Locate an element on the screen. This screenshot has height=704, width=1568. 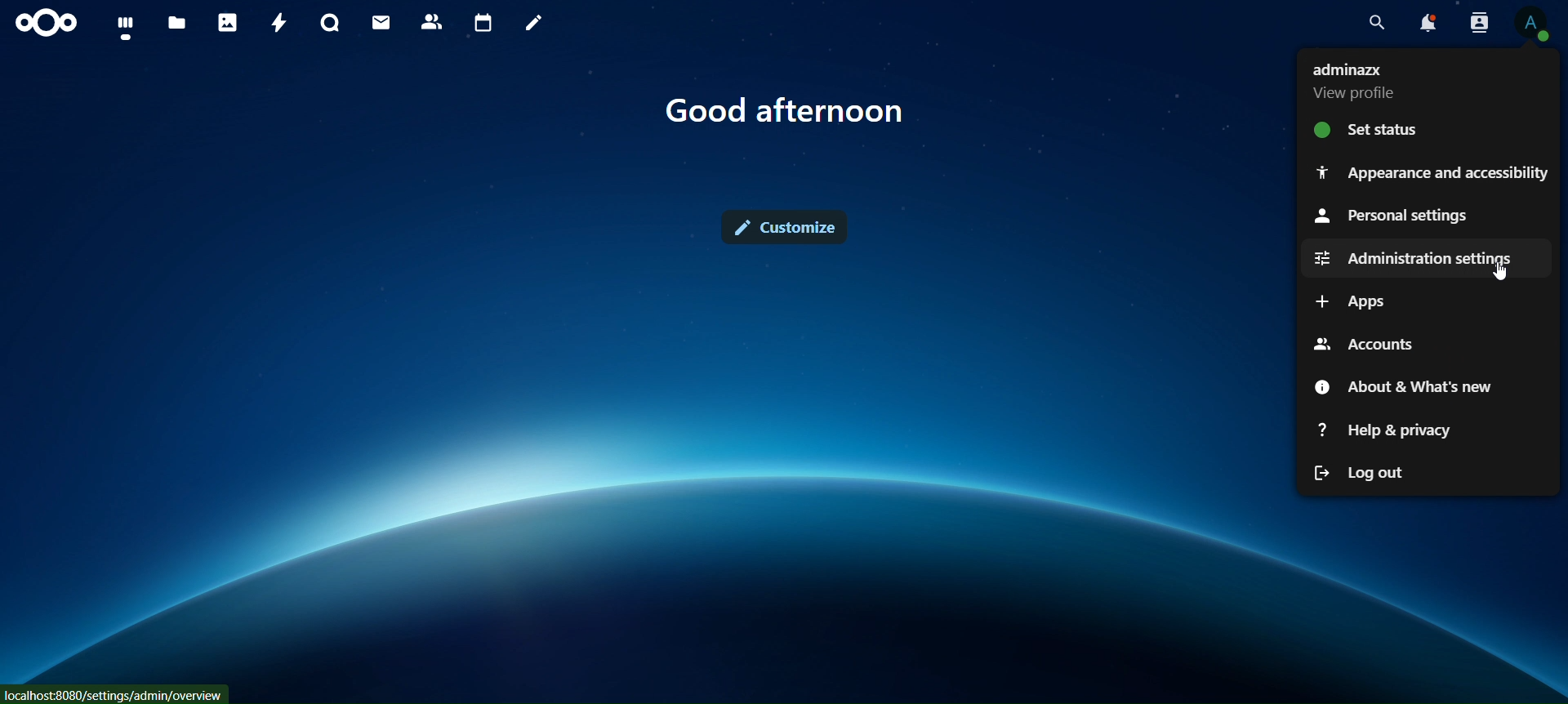
dashboard is located at coordinates (131, 29).